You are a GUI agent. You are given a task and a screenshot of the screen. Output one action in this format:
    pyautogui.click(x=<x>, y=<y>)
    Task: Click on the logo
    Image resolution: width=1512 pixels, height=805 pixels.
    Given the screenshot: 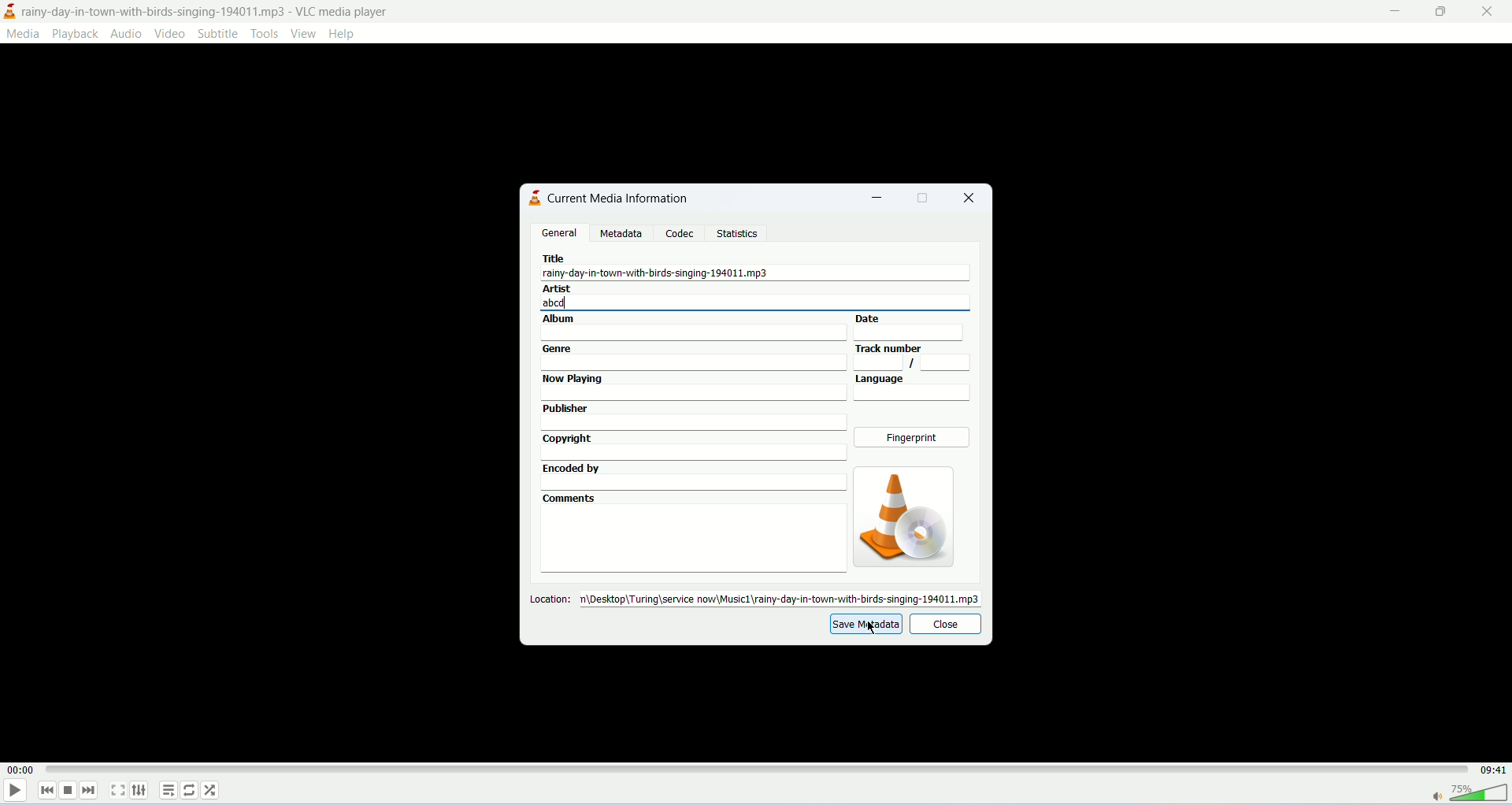 What is the action you would take?
    pyautogui.click(x=9, y=11)
    